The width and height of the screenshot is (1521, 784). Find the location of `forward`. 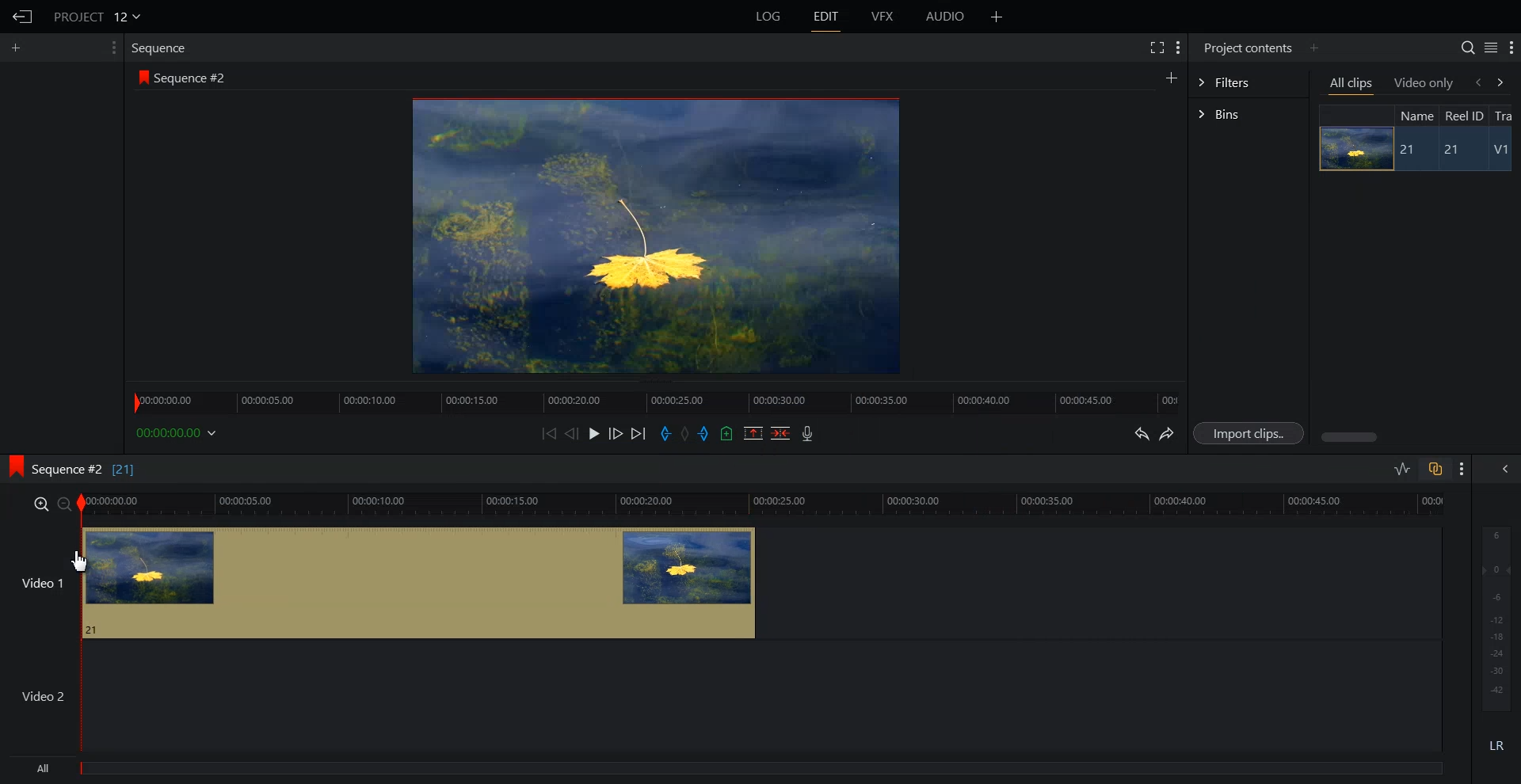

forward is located at coordinates (1504, 82).